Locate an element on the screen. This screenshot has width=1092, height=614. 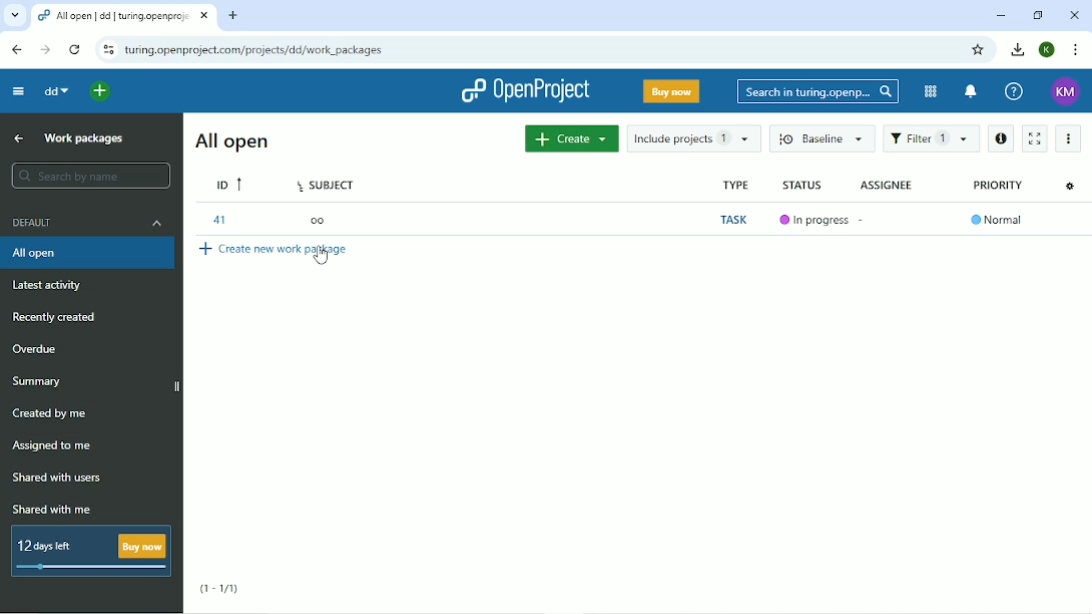
cursor is located at coordinates (323, 257).